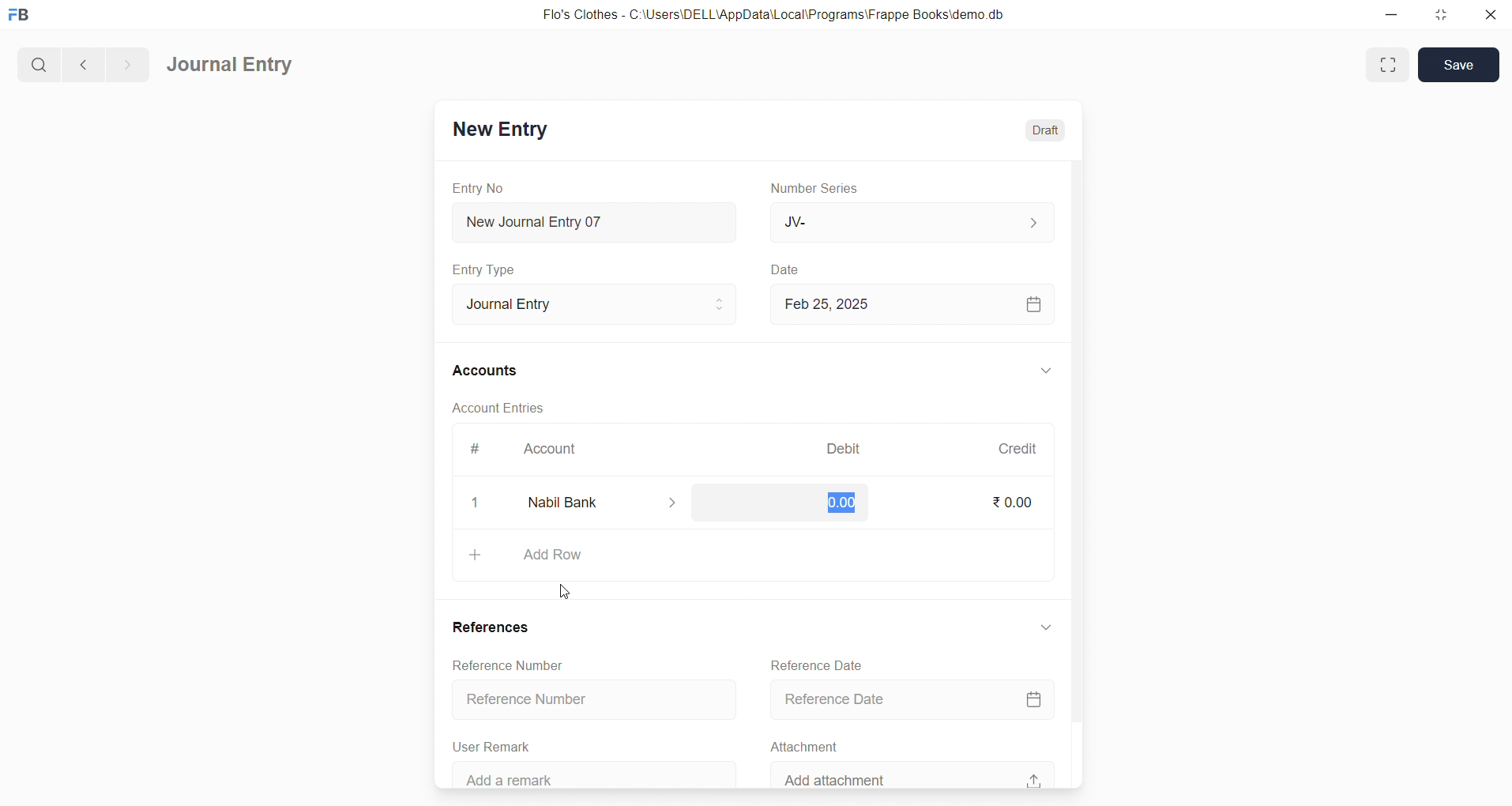 The width and height of the screenshot is (1512, 806). Describe the element at coordinates (37, 62) in the screenshot. I see `search` at that location.